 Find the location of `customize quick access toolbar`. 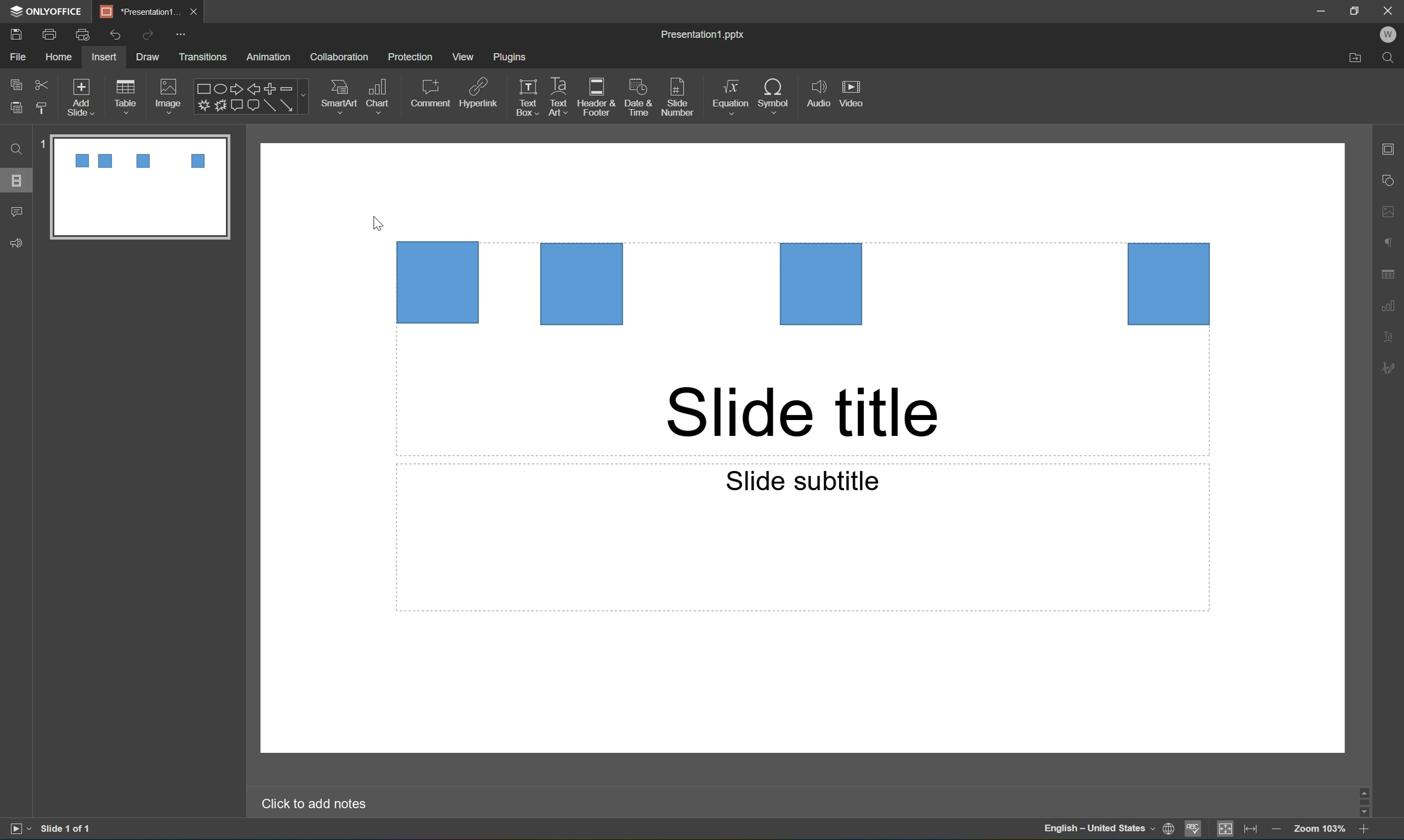

customize quick access toolbar is located at coordinates (181, 33).